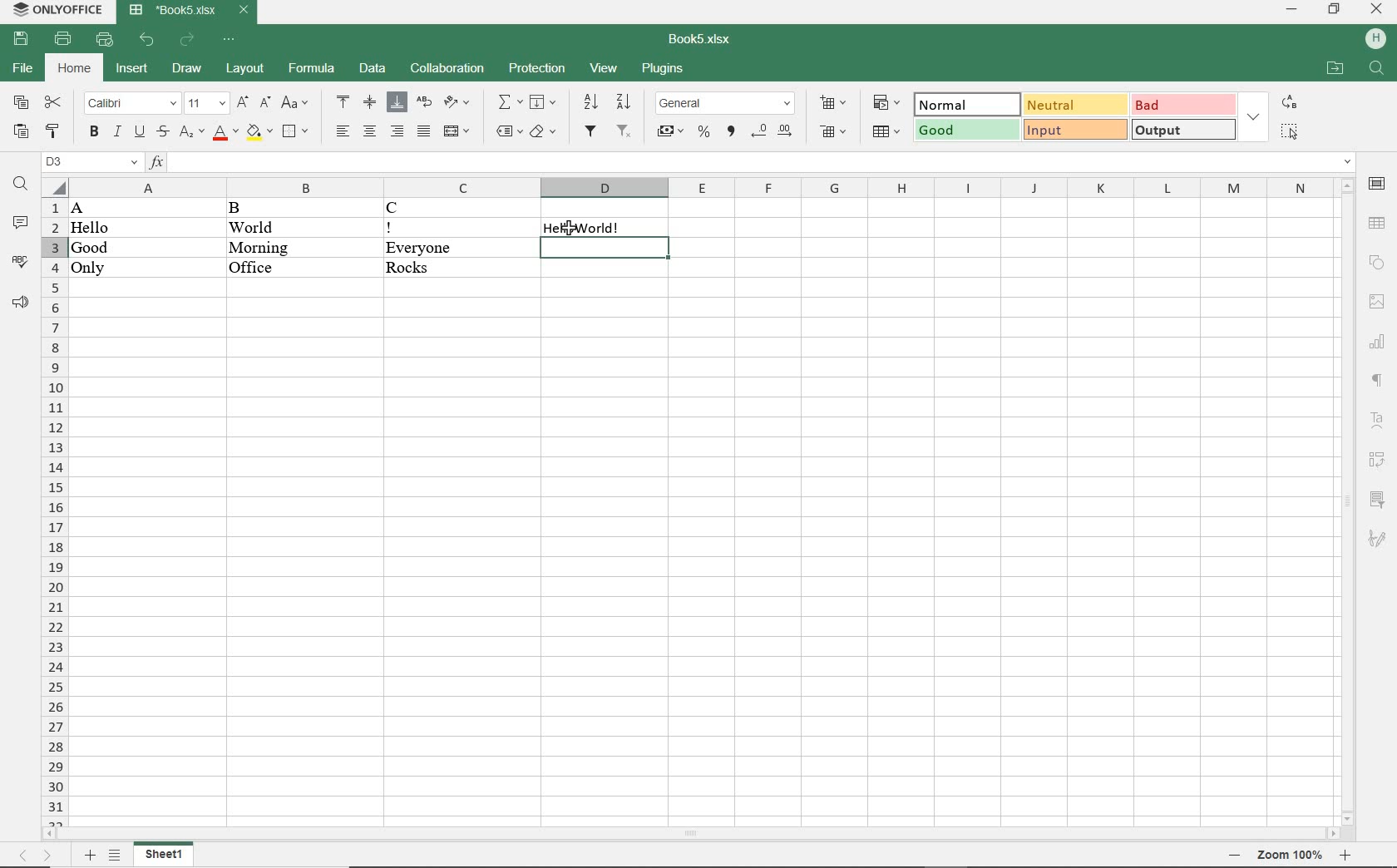 Image resolution: width=1397 pixels, height=868 pixels. Describe the element at coordinates (1377, 382) in the screenshot. I see `PARAGRAPH SETTINGS` at that location.